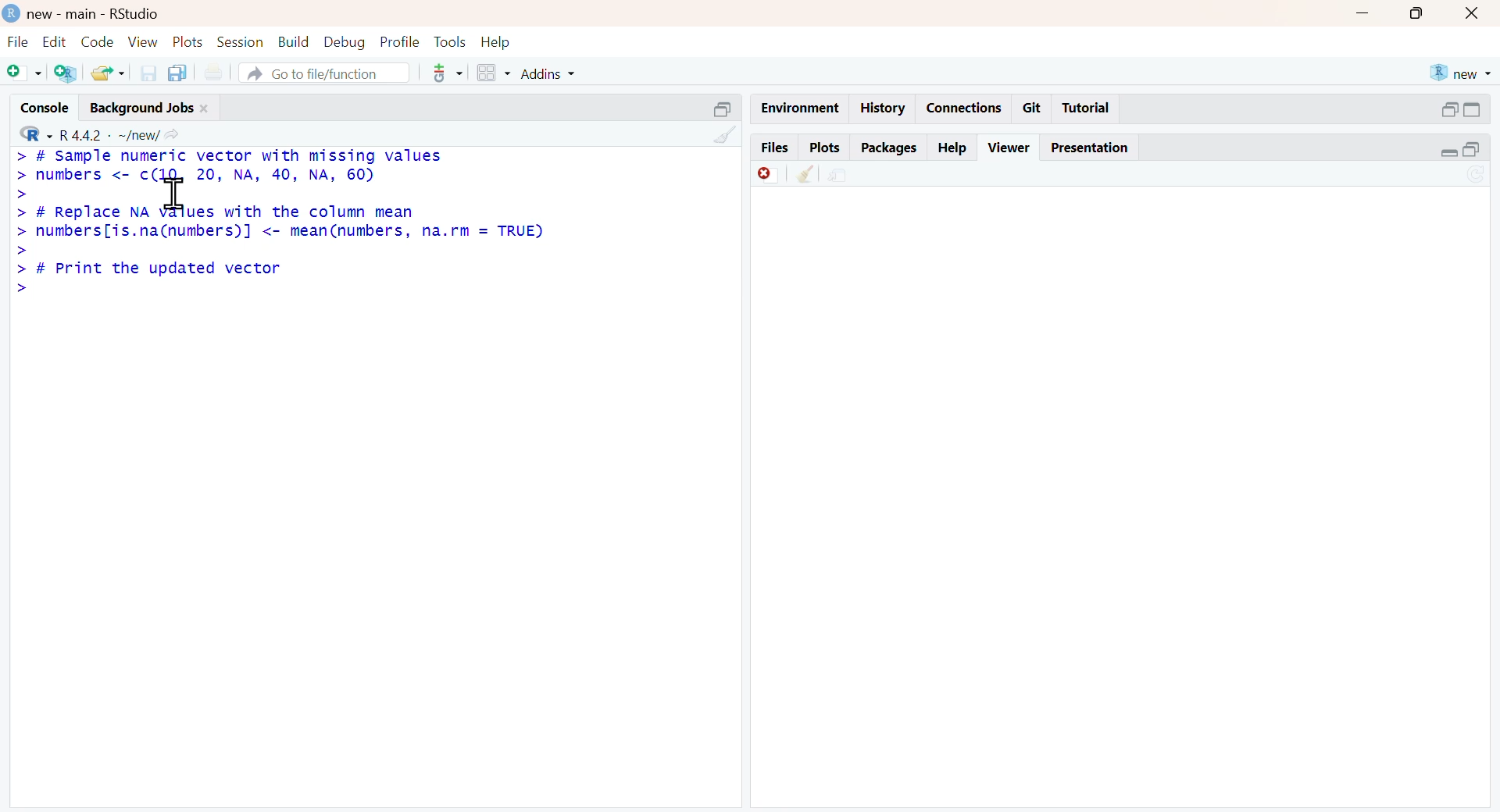 Image resolution: width=1500 pixels, height=812 pixels. I want to click on print, so click(214, 72).